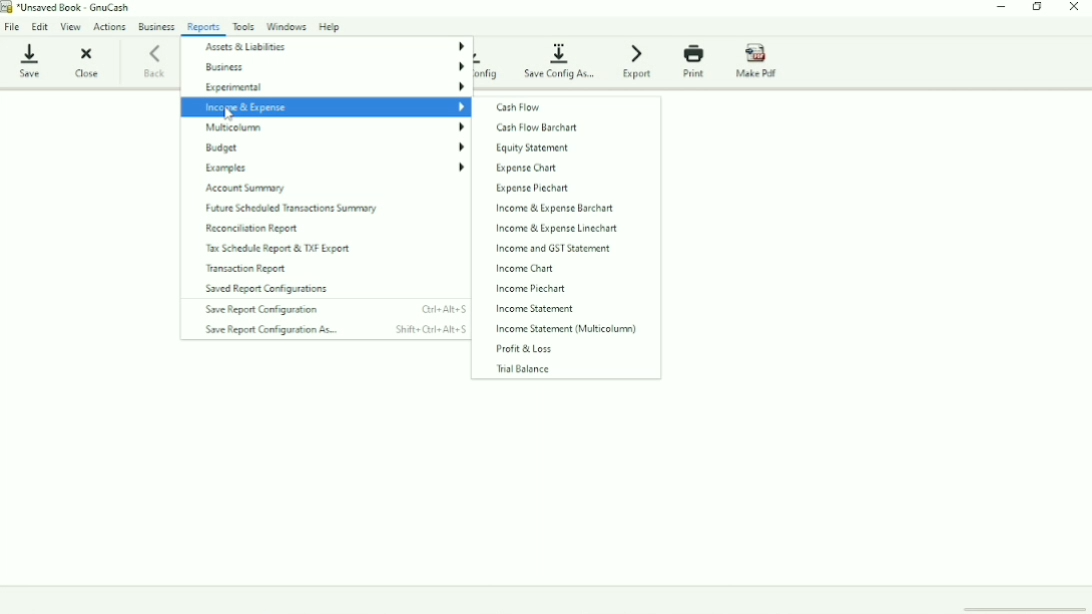 Image resolution: width=1092 pixels, height=614 pixels. Describe the element at coordinates (76, 8) in the screenshot. I see `*Unsaved Book - GnuCash` at that location.